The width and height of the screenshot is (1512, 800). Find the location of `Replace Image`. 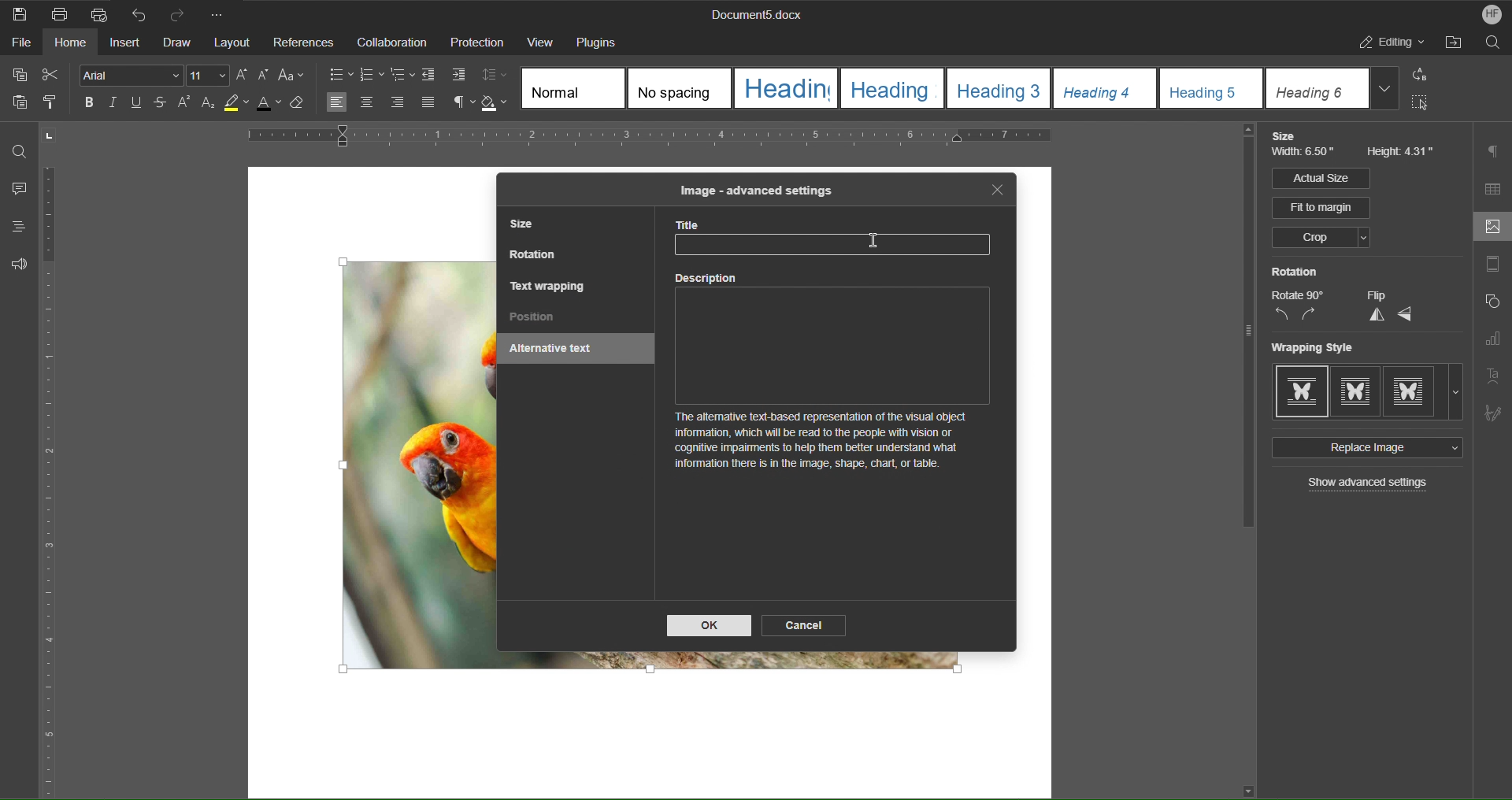

Replace Image is located at coordinates (1365, 448).